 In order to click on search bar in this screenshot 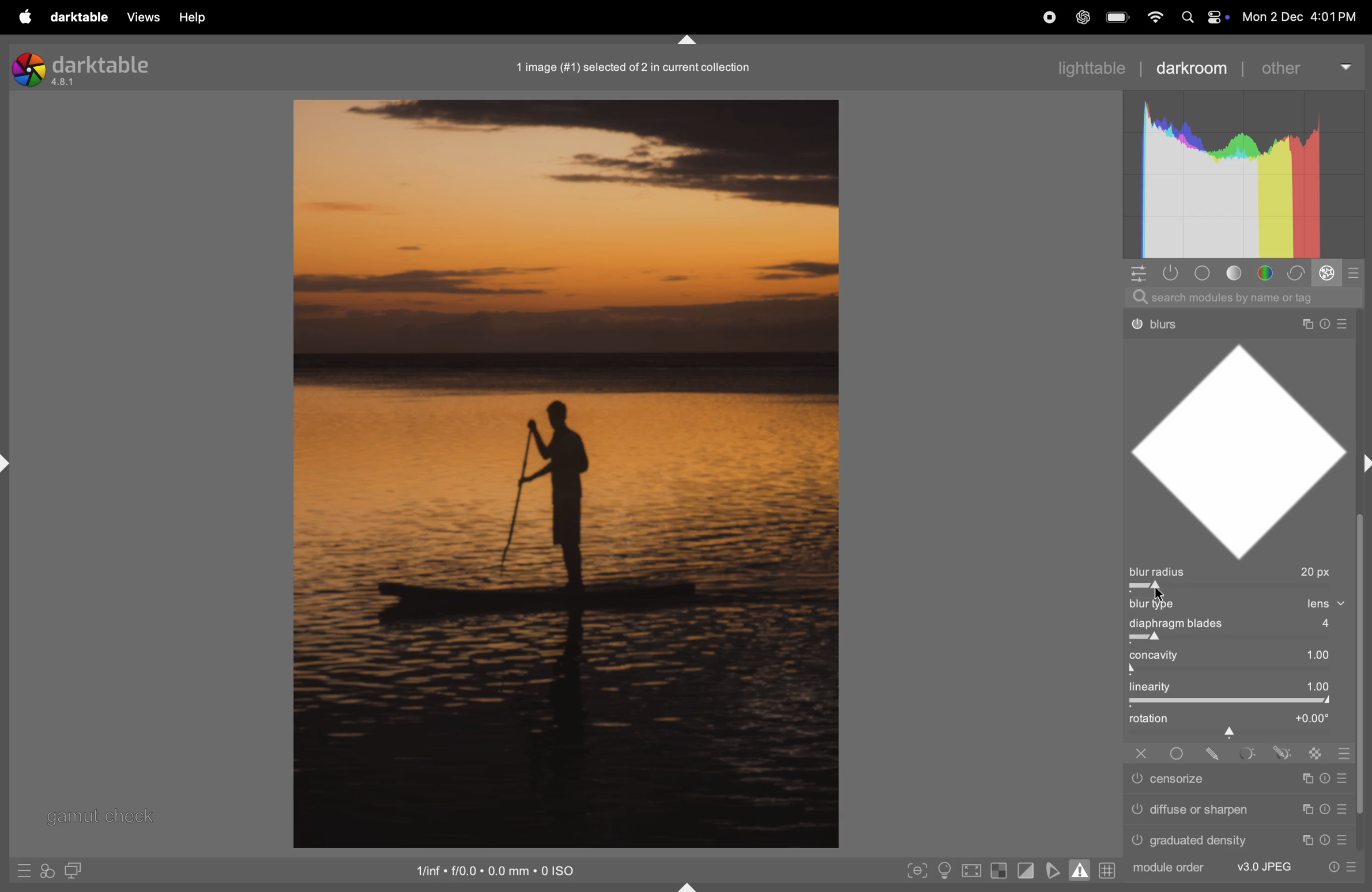, I will do `click(1247, 296)`.